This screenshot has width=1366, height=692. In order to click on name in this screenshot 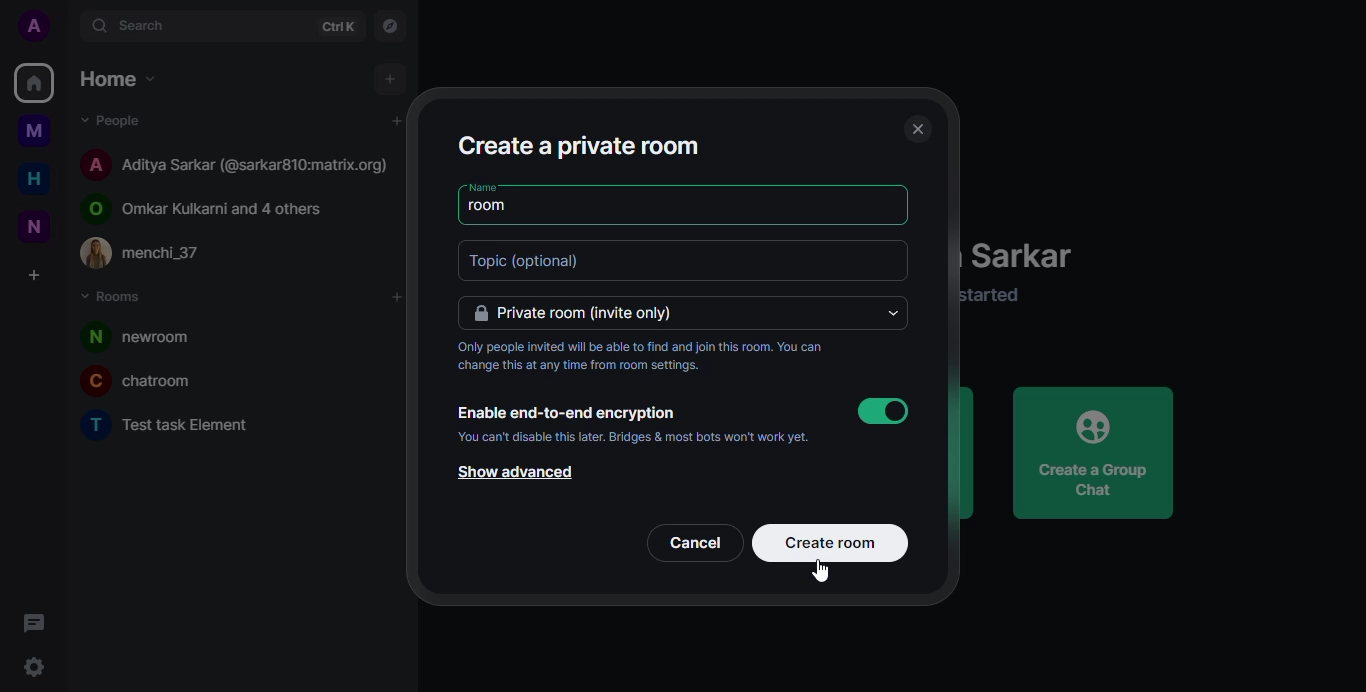, I will do `click(486, 185)`.